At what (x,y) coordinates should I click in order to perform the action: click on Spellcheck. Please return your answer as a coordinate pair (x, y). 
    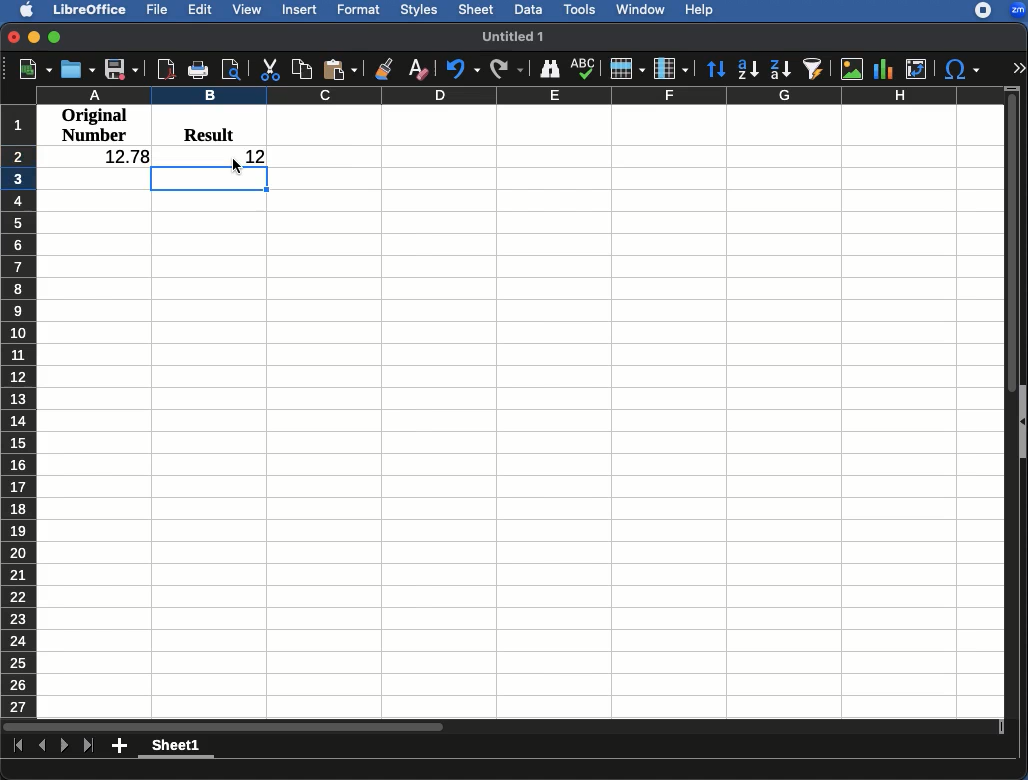
    Looking at the image, I should click on (582, 68).